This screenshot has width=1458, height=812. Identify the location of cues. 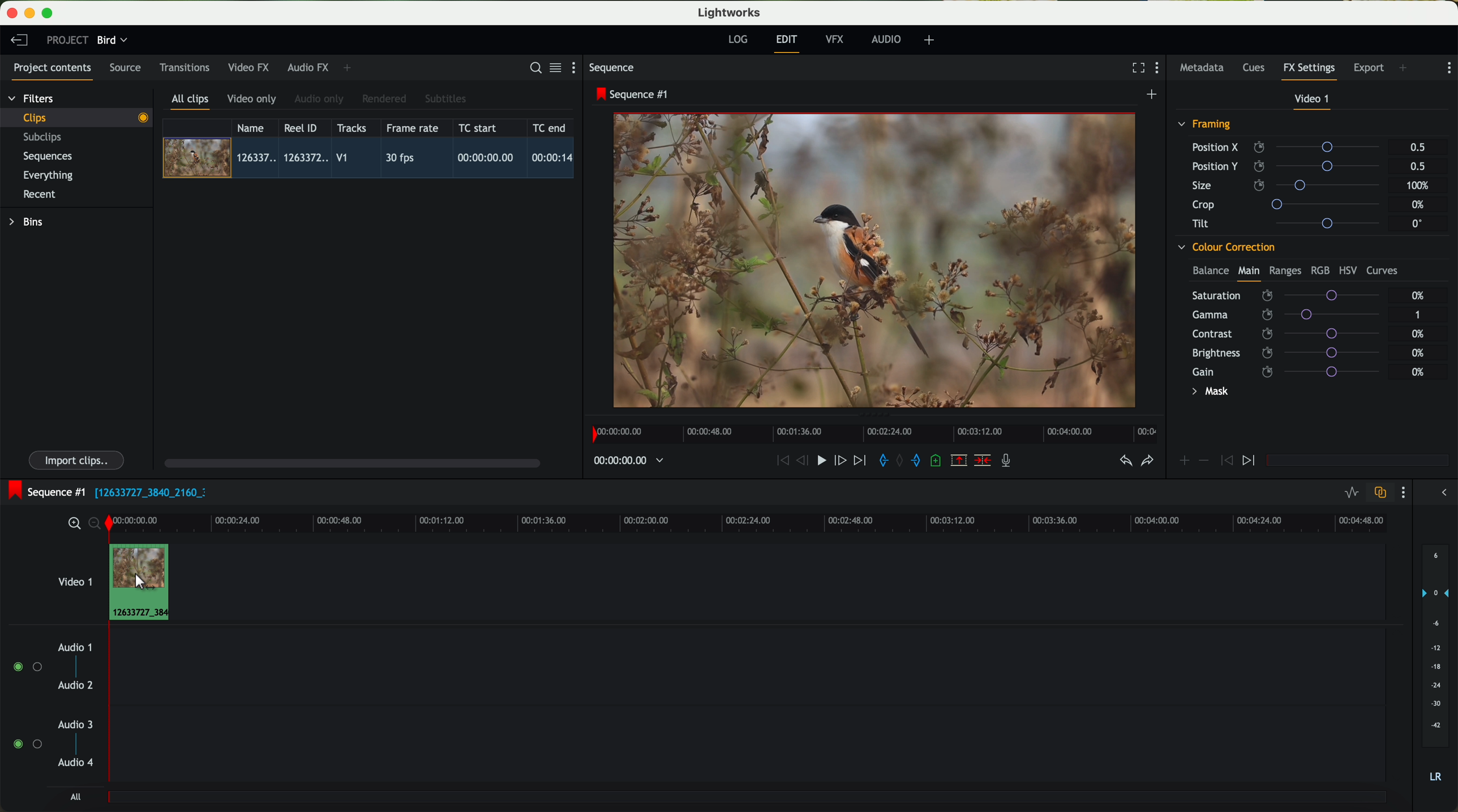
(1257, 68).